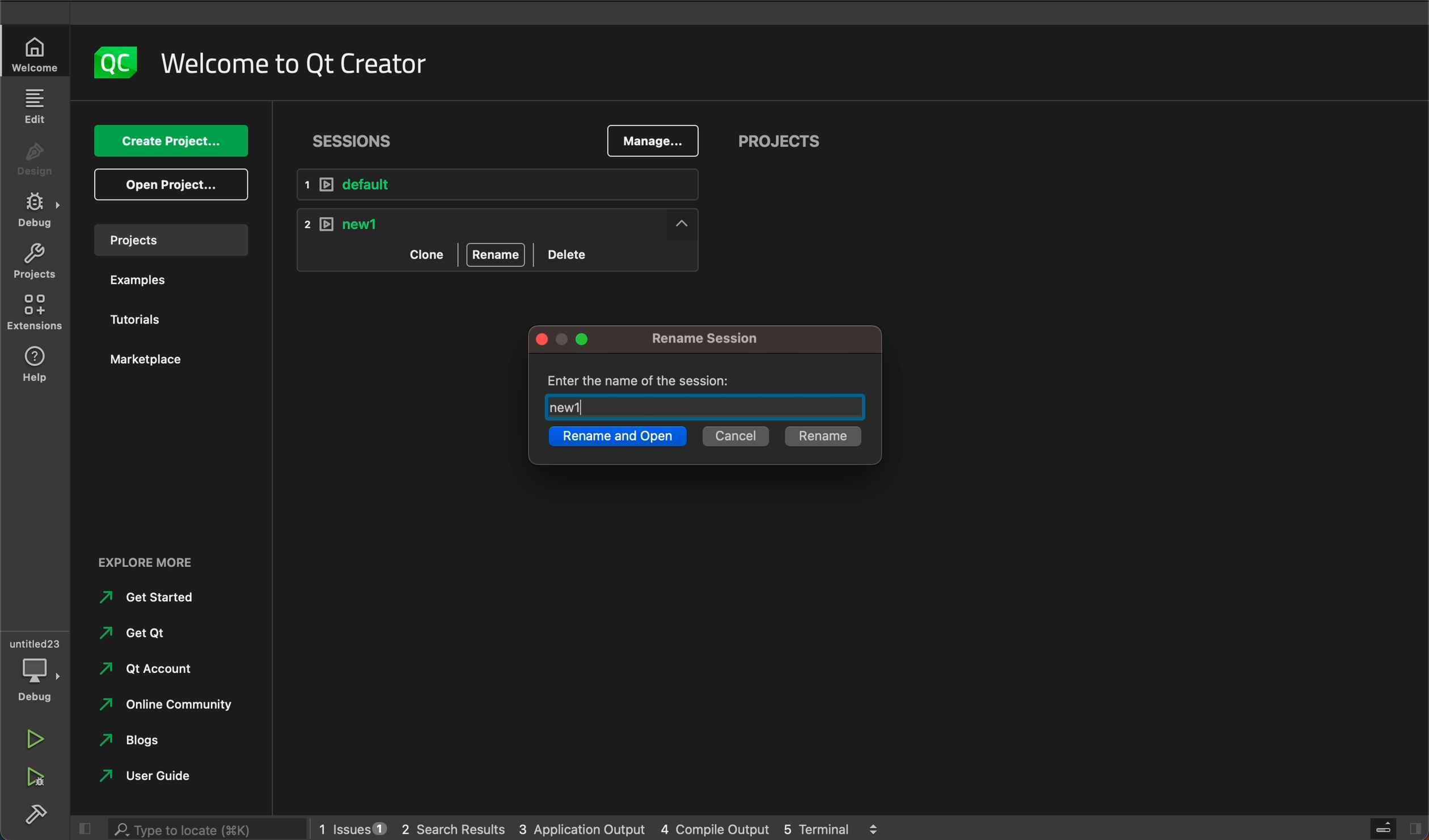 Image resolution: width=1429 pixels, height=840 pixels. I want to click on close slidebar, so click(82, 829).